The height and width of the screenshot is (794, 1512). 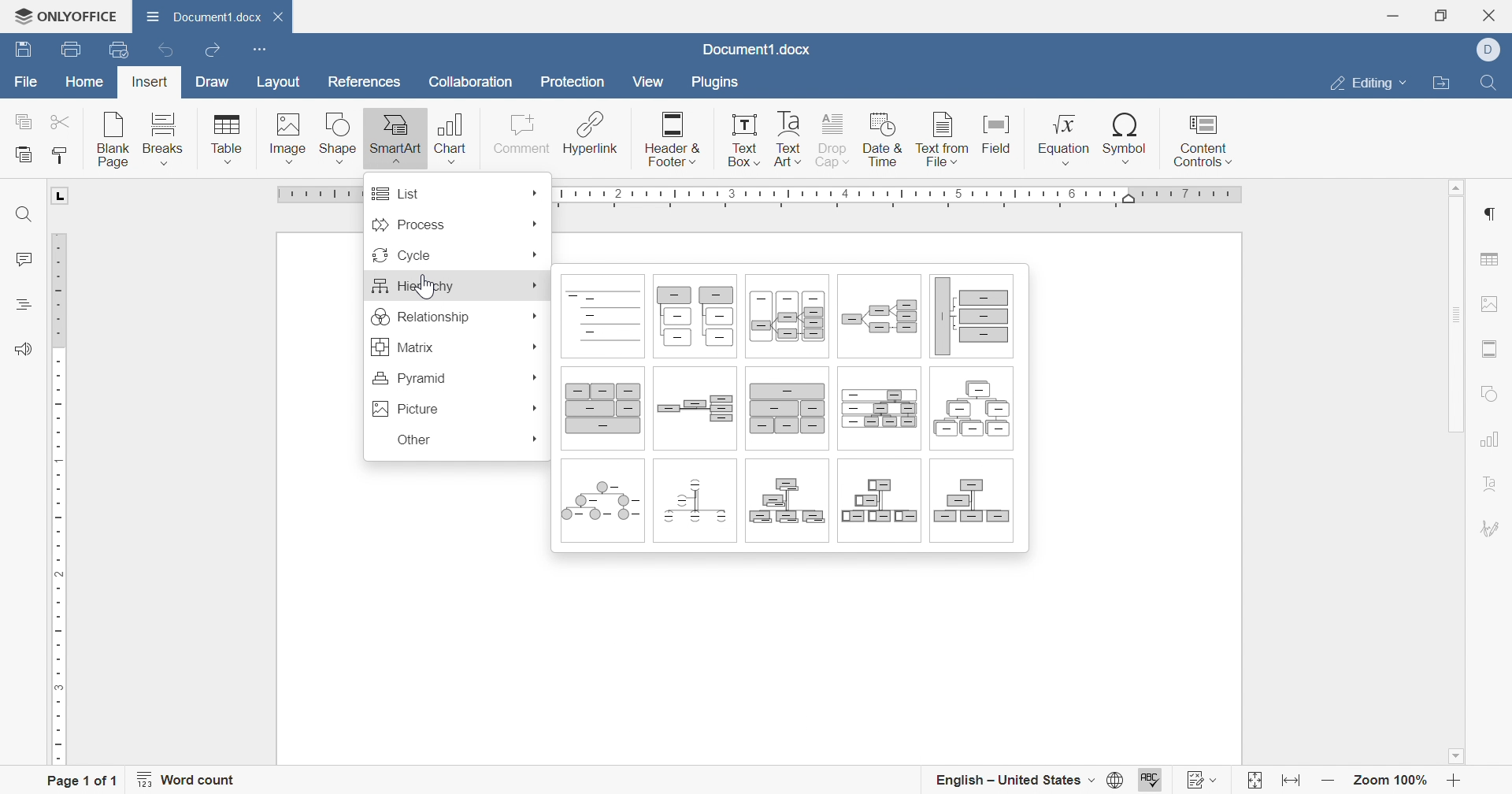 I want to click on Pyramid, so click(x=410, y=377).